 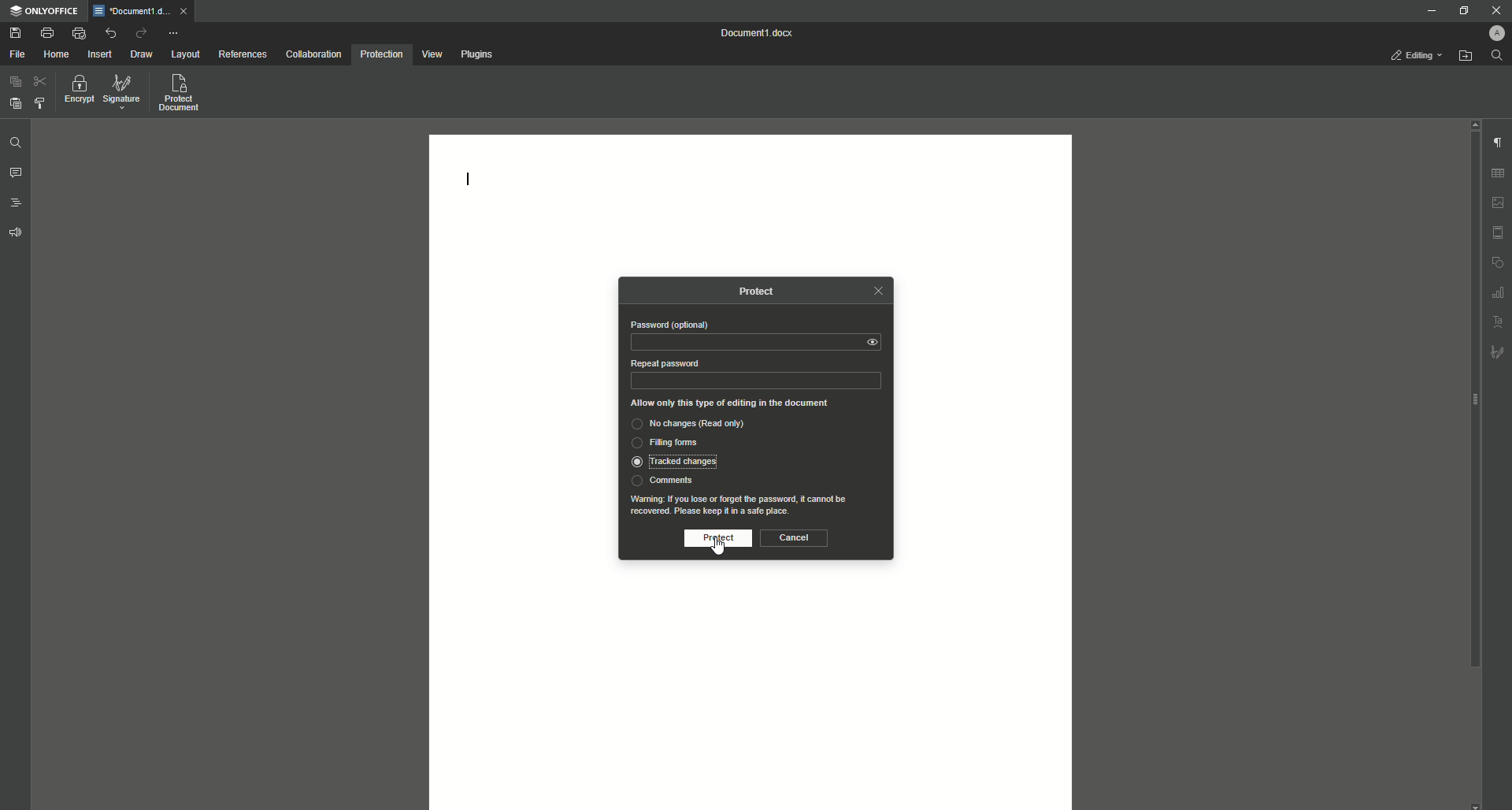 What do you see at coordinates (662, 480) in the screenshot?
I see `Comments` at bounding box center [662, 480].